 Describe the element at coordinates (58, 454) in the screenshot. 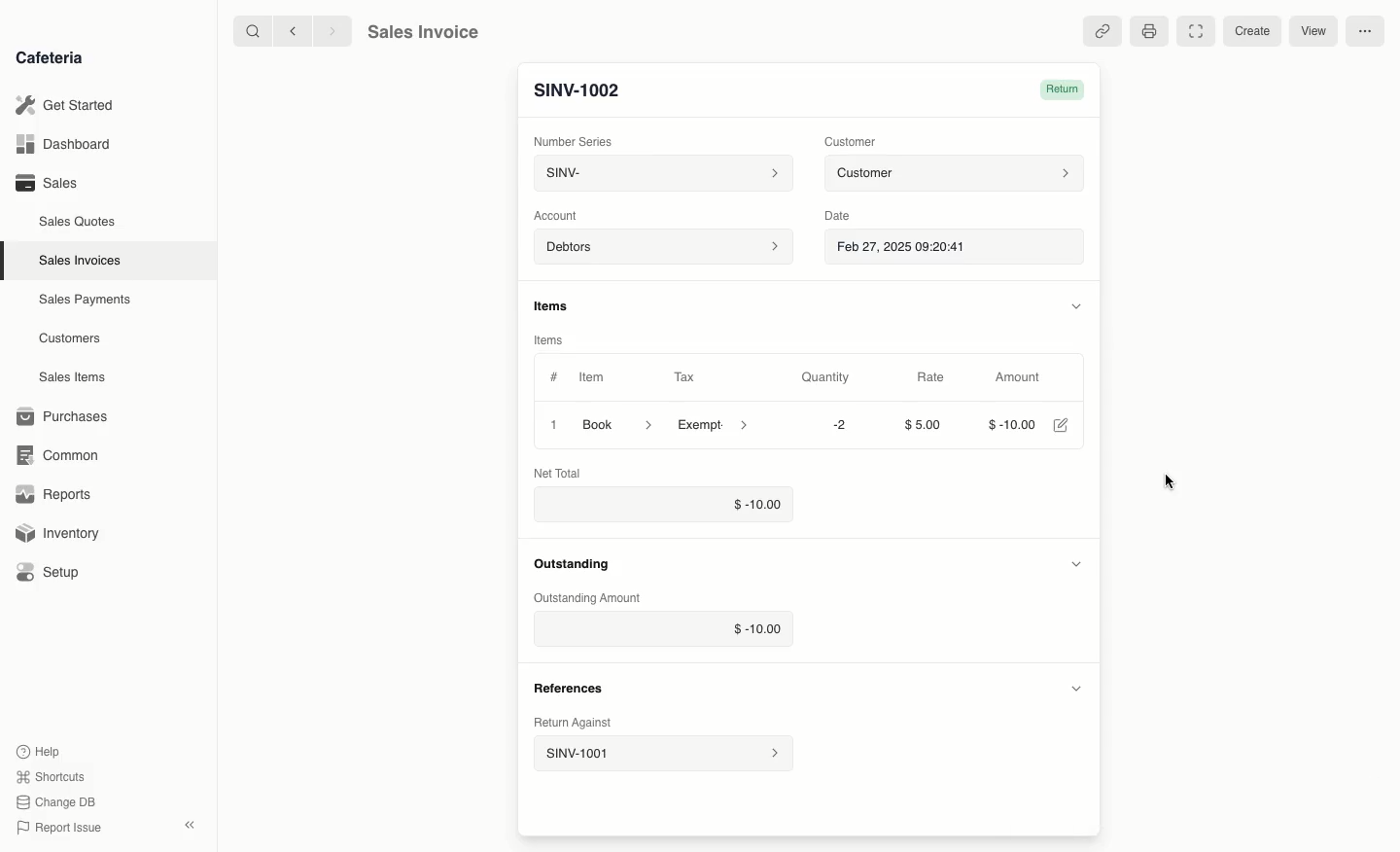

I see `‘Common` at that location.